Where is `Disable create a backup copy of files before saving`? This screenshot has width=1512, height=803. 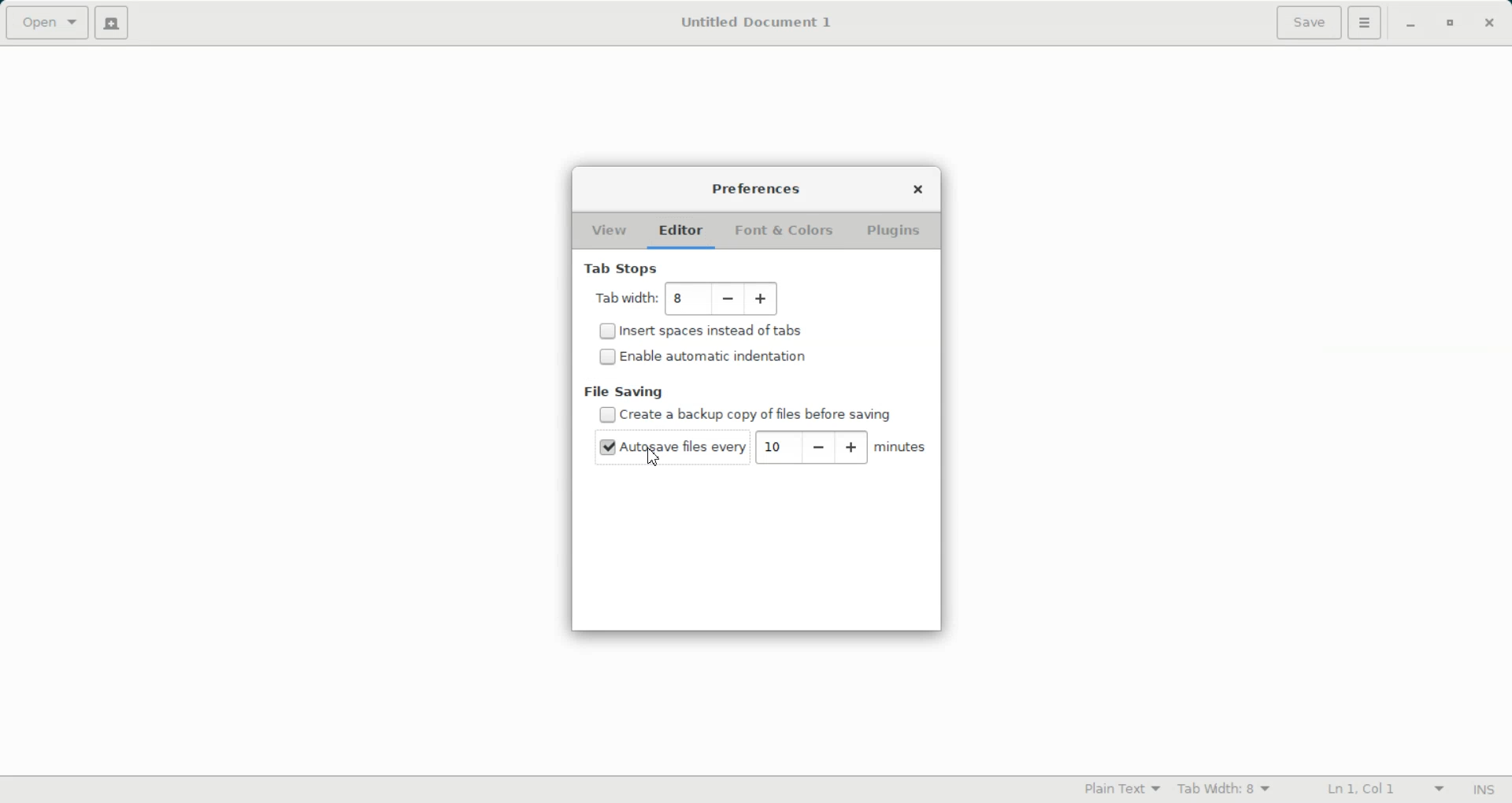 Disable create a backup copy of files before saving is located at coordinates (749, 414).